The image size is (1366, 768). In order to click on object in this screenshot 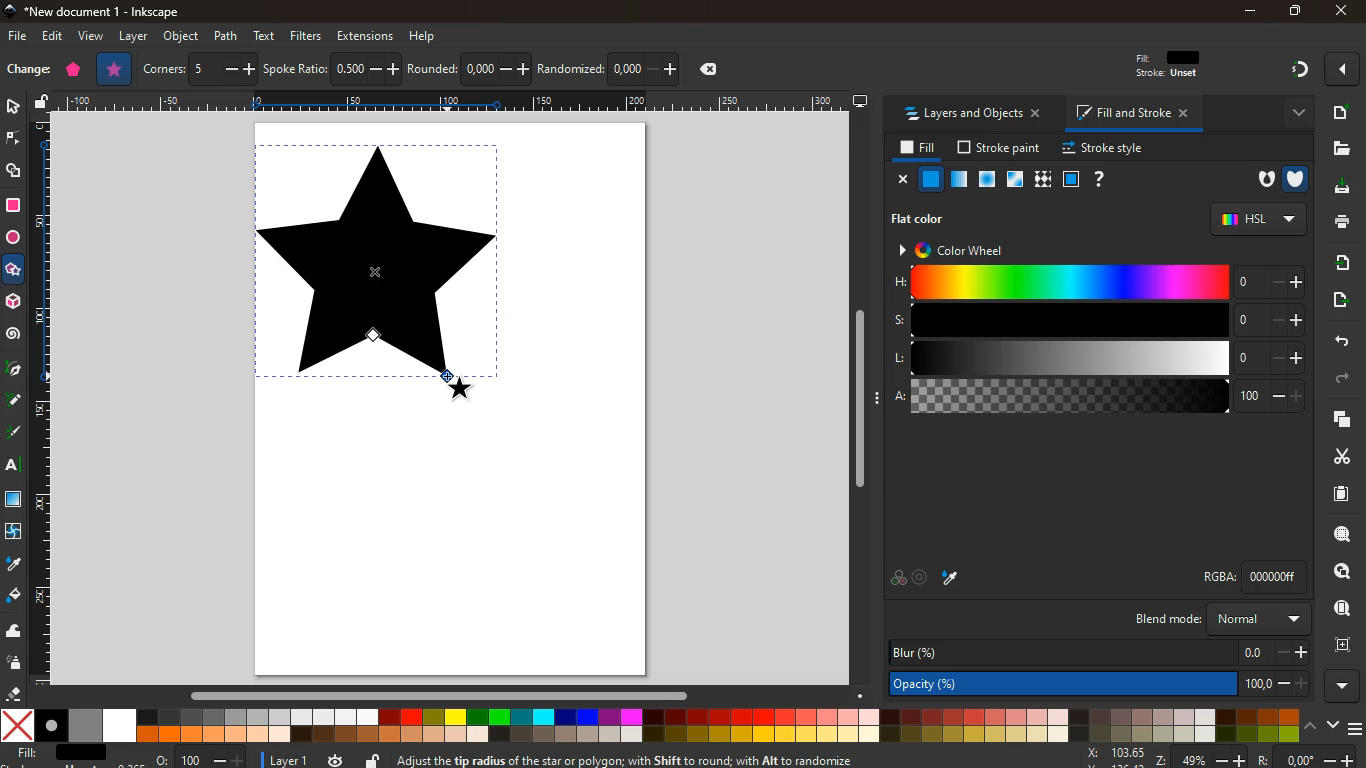, I will do `click(180, 36)`.